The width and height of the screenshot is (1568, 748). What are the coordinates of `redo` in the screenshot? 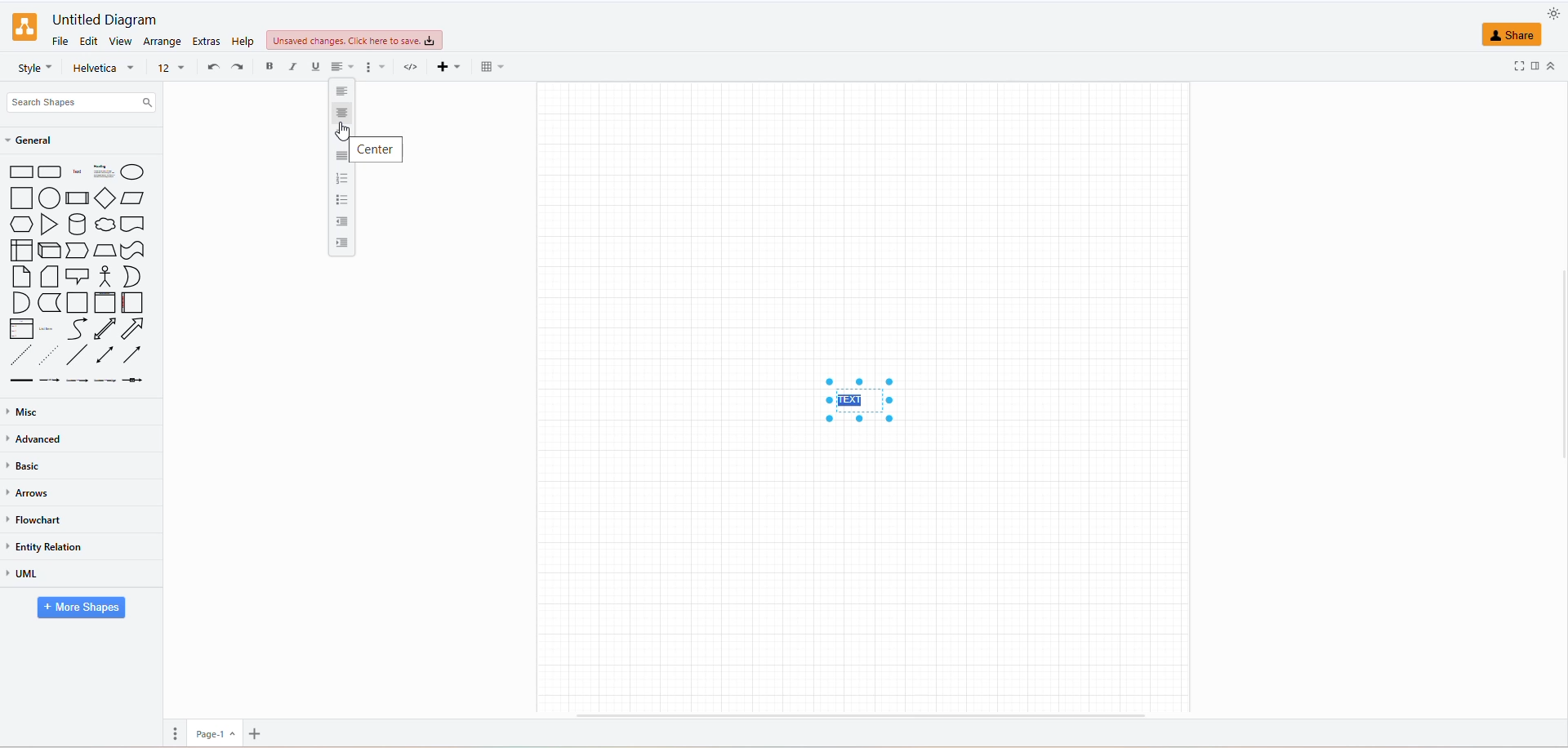 It's located at (238, 66).